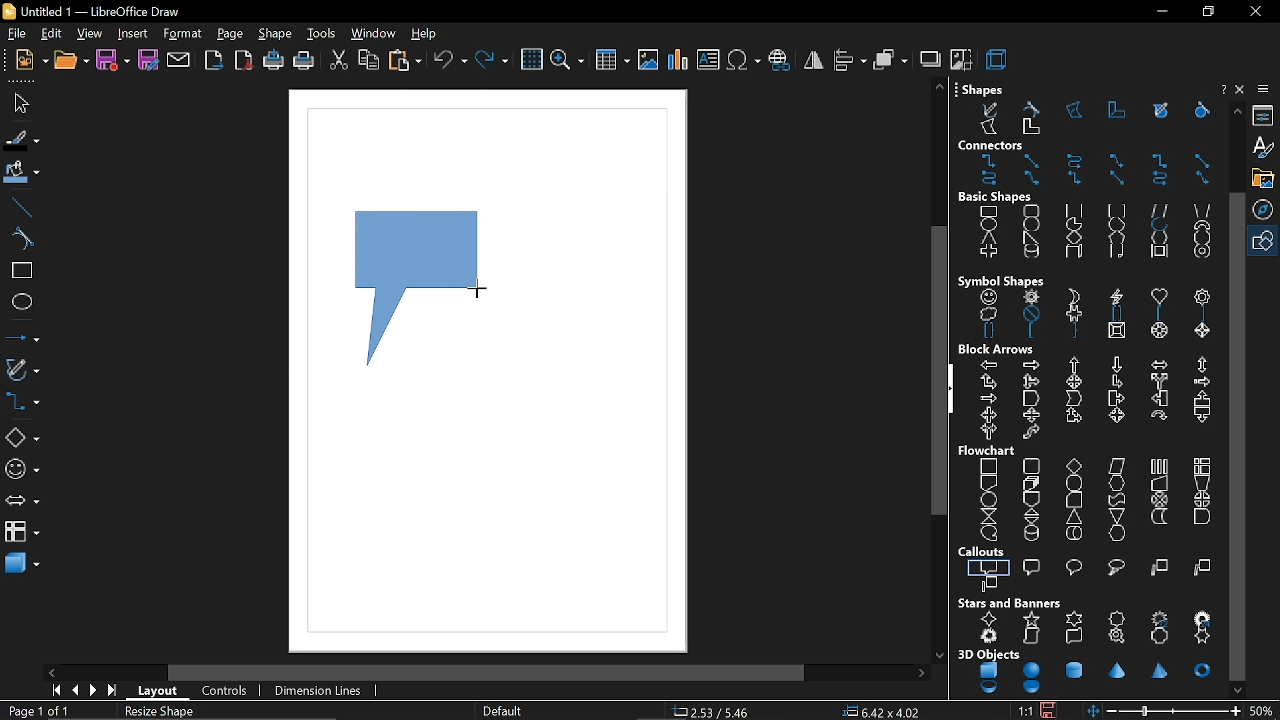 This screenshot has height=720, width=1280. I want to click on fill line, so click(21, 139).